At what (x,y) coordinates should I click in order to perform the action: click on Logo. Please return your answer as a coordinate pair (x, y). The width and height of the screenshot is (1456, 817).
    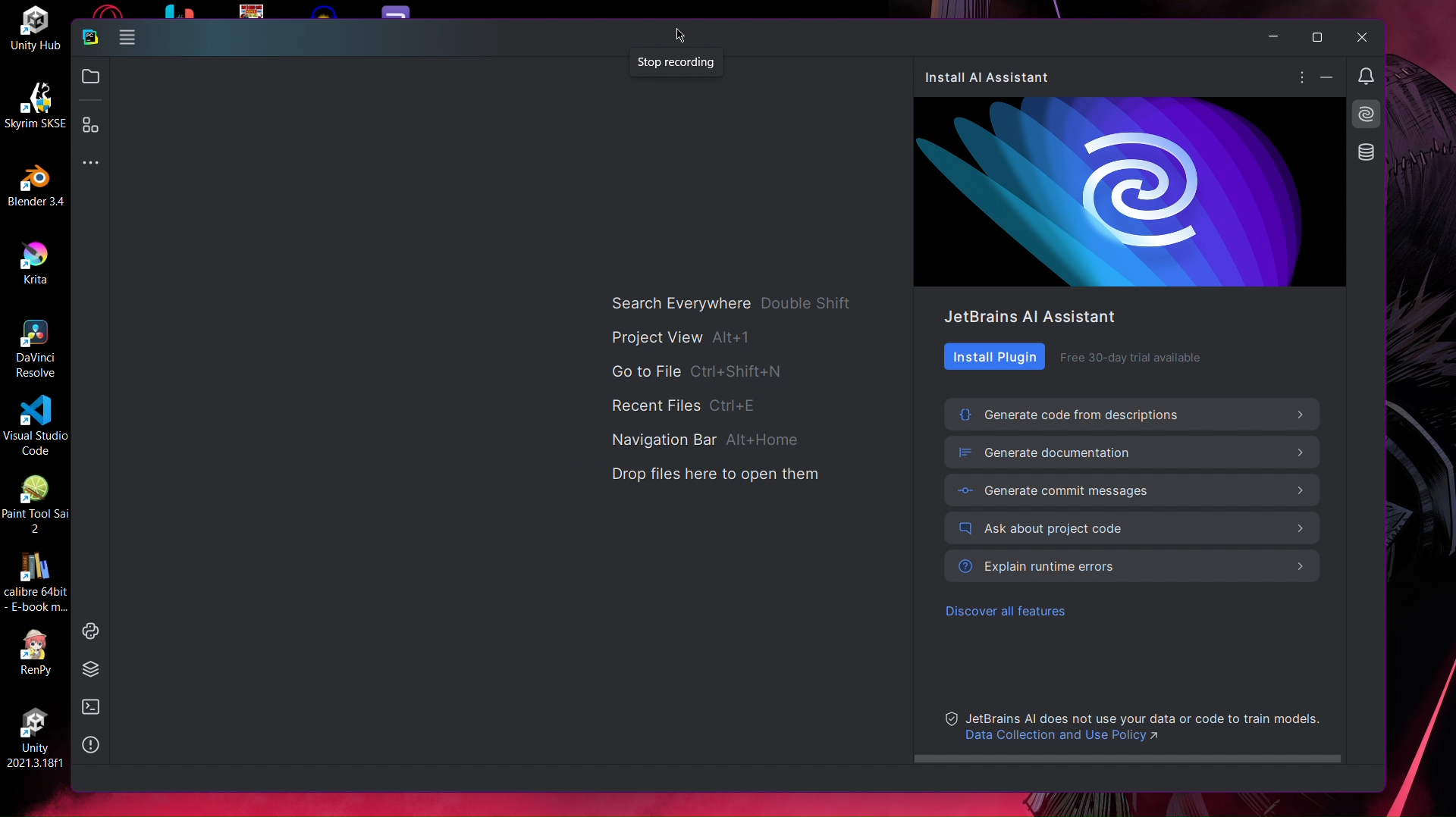
    Looking at the image, I should click on (89, 39).